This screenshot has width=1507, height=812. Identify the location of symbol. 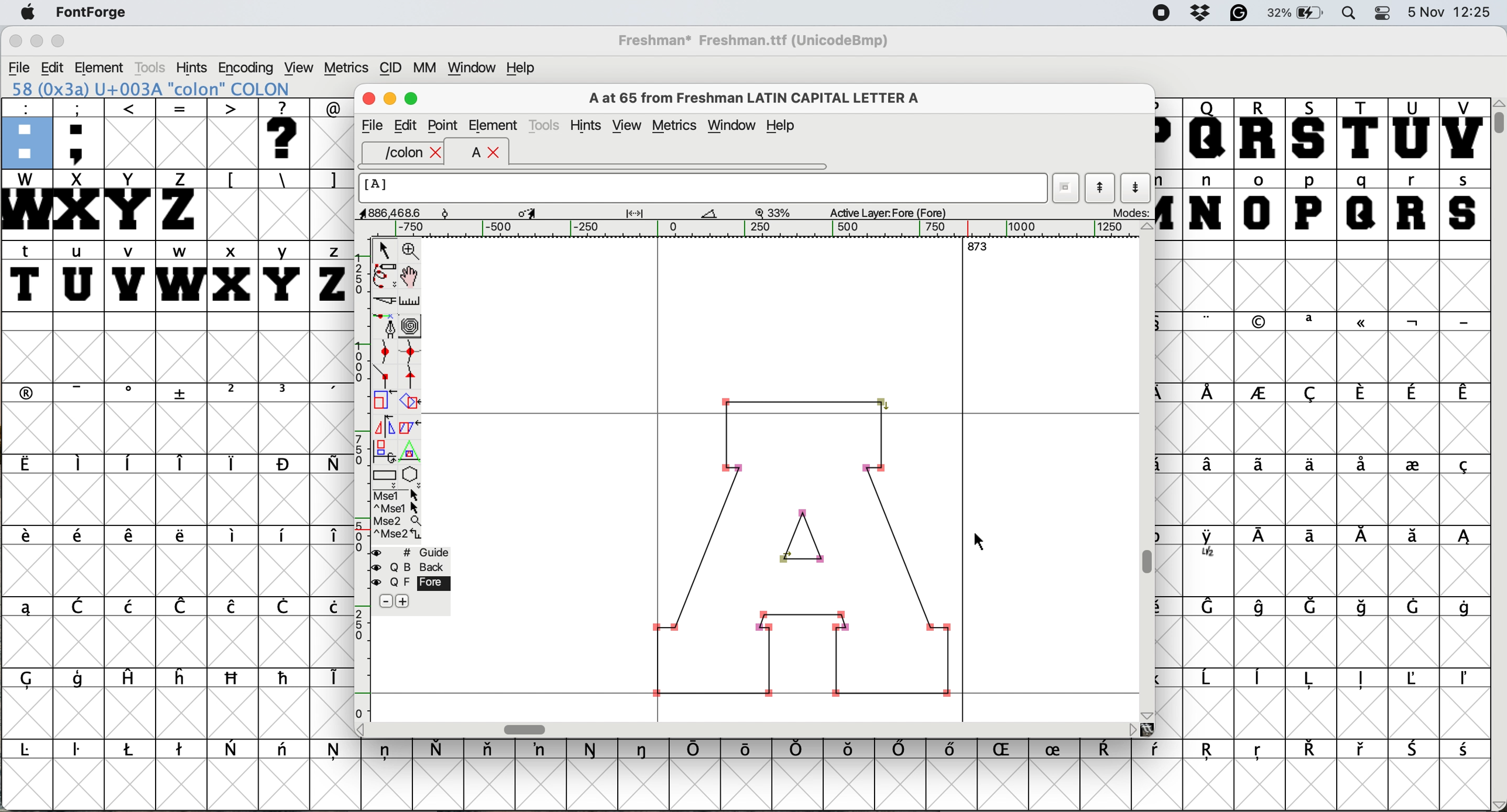
(1360, 393).